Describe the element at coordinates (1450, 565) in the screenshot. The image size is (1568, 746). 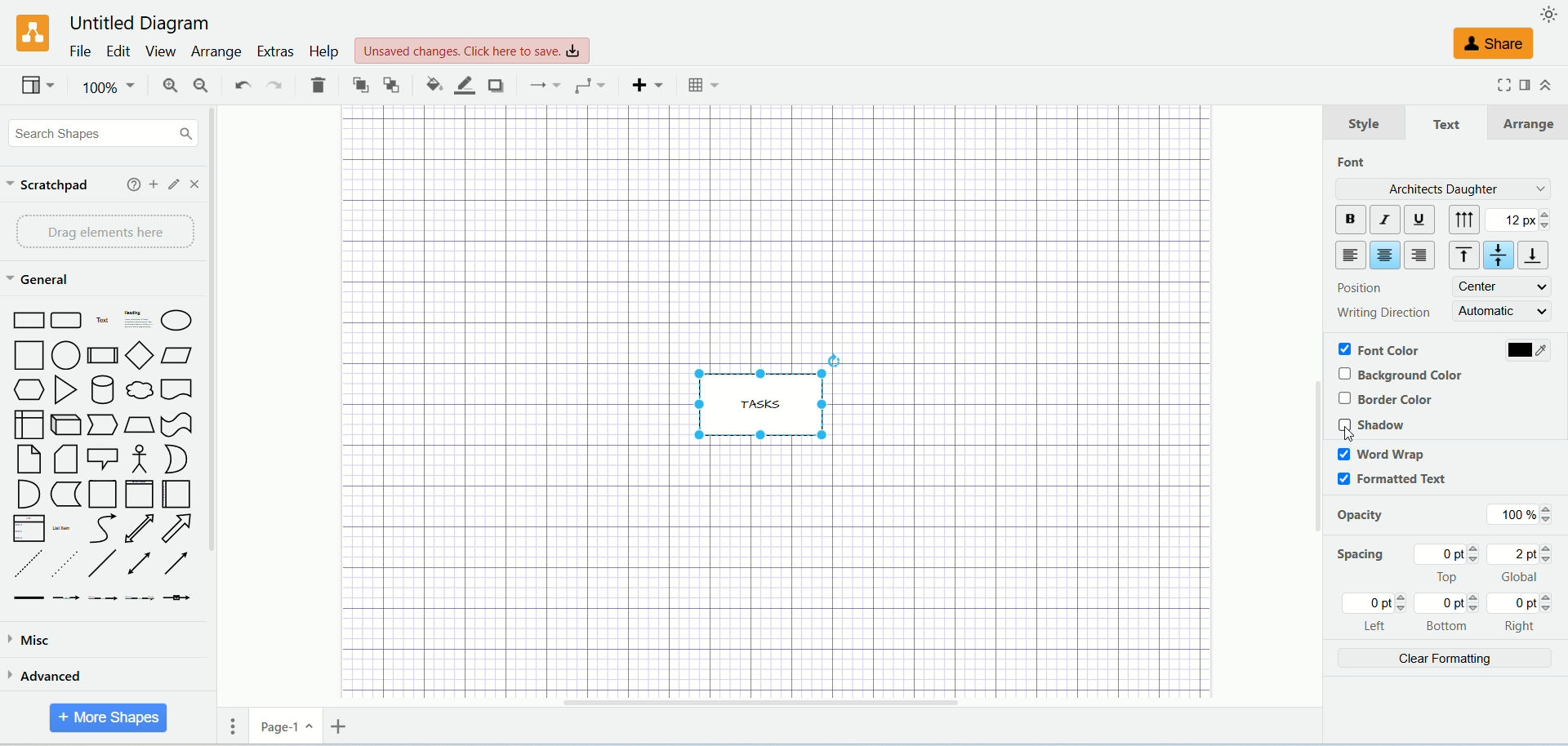
I see `top` at that location.